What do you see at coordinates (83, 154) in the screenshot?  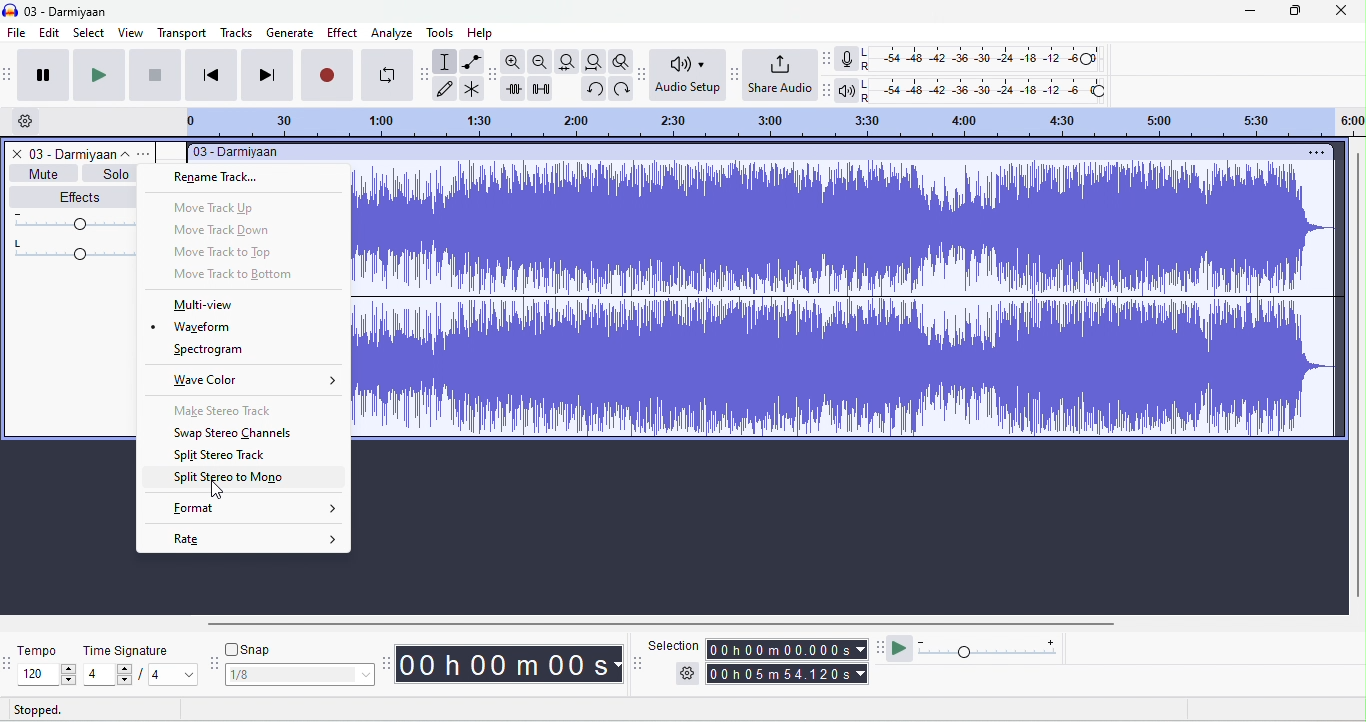 I see `track title` at bounding box center [83, 154].